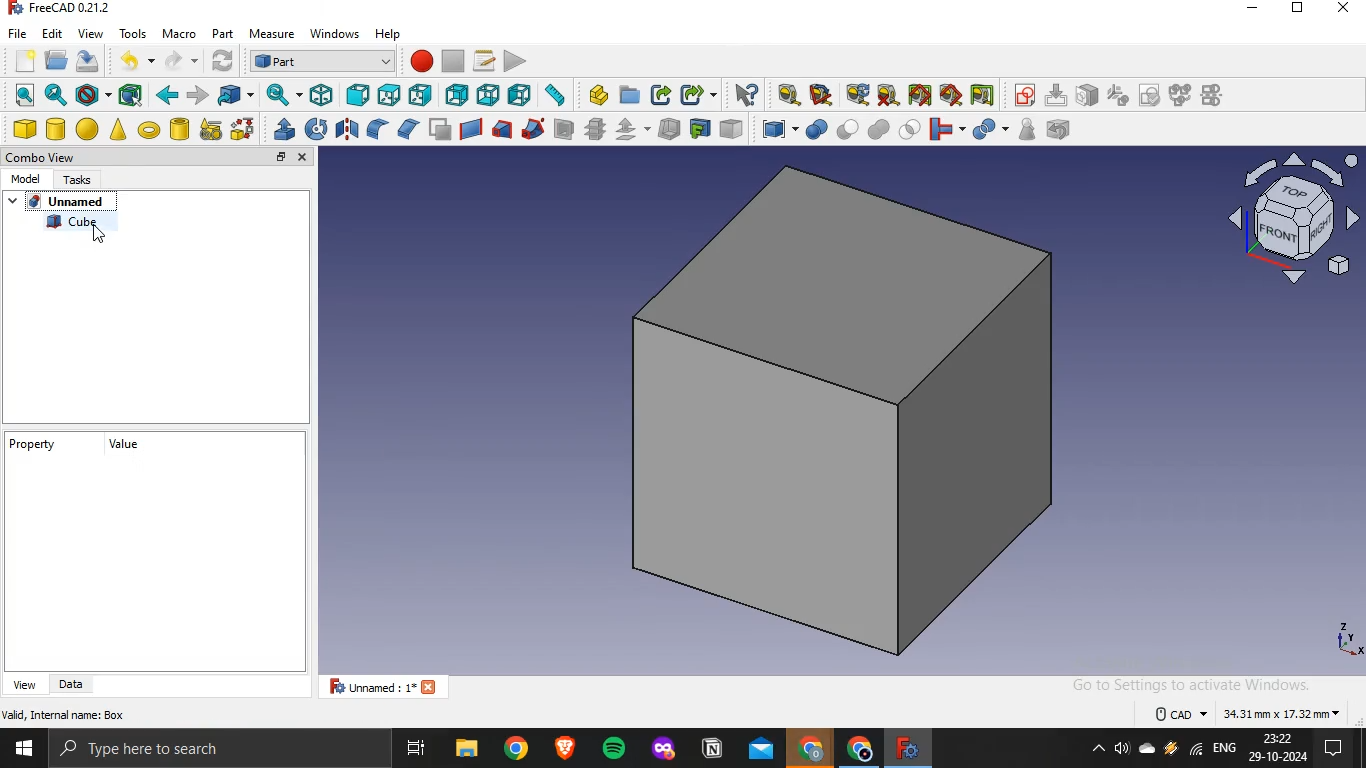 The height and width of the screenshot is (768, 1366). What do you see at coordinates (407, 128) in the screenshot?
I see `chamfer` at bounding box center [407, 128].